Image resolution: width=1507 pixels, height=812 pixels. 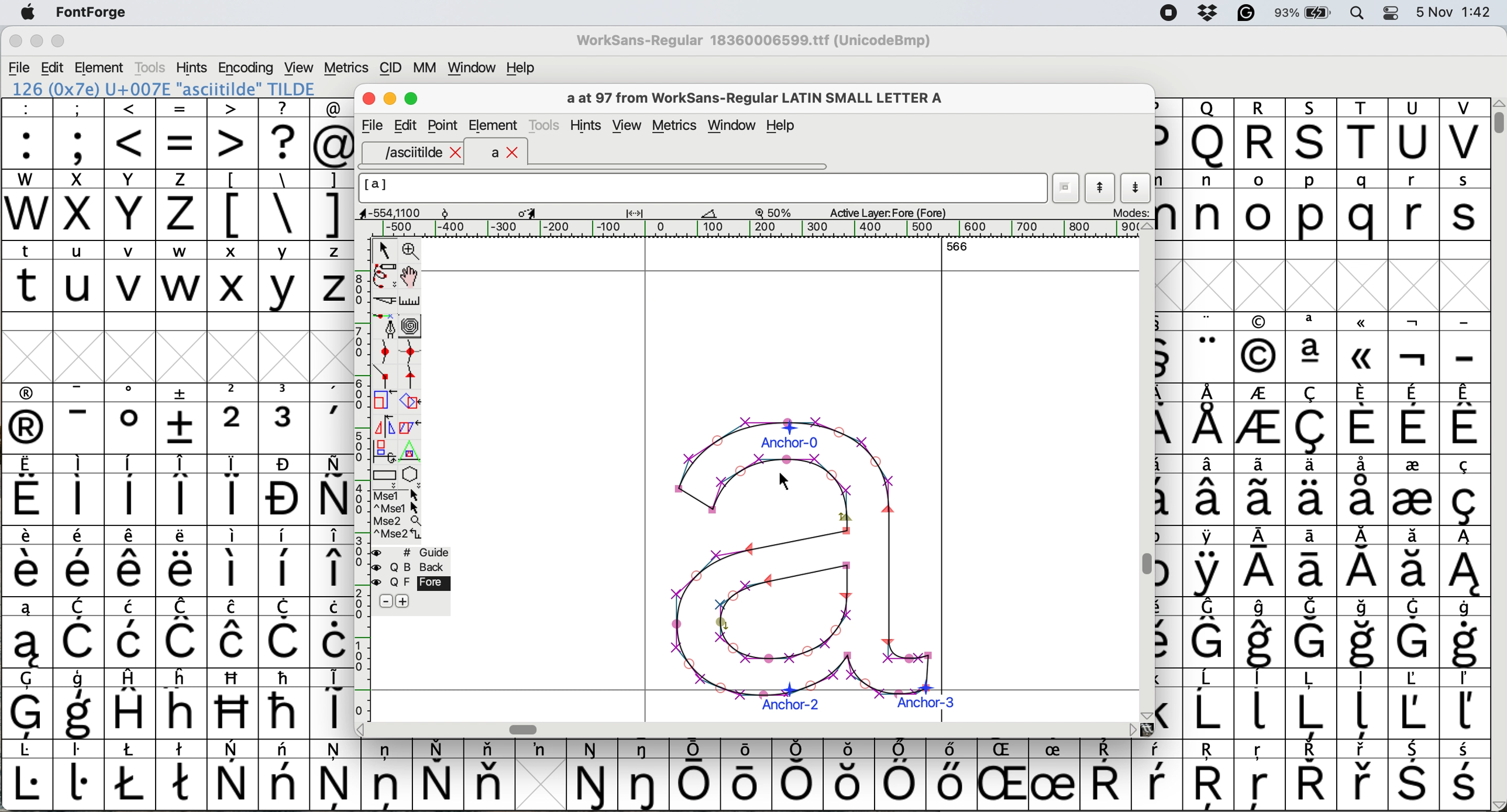 I want to click on symbol, so click(x=1262, y=633).